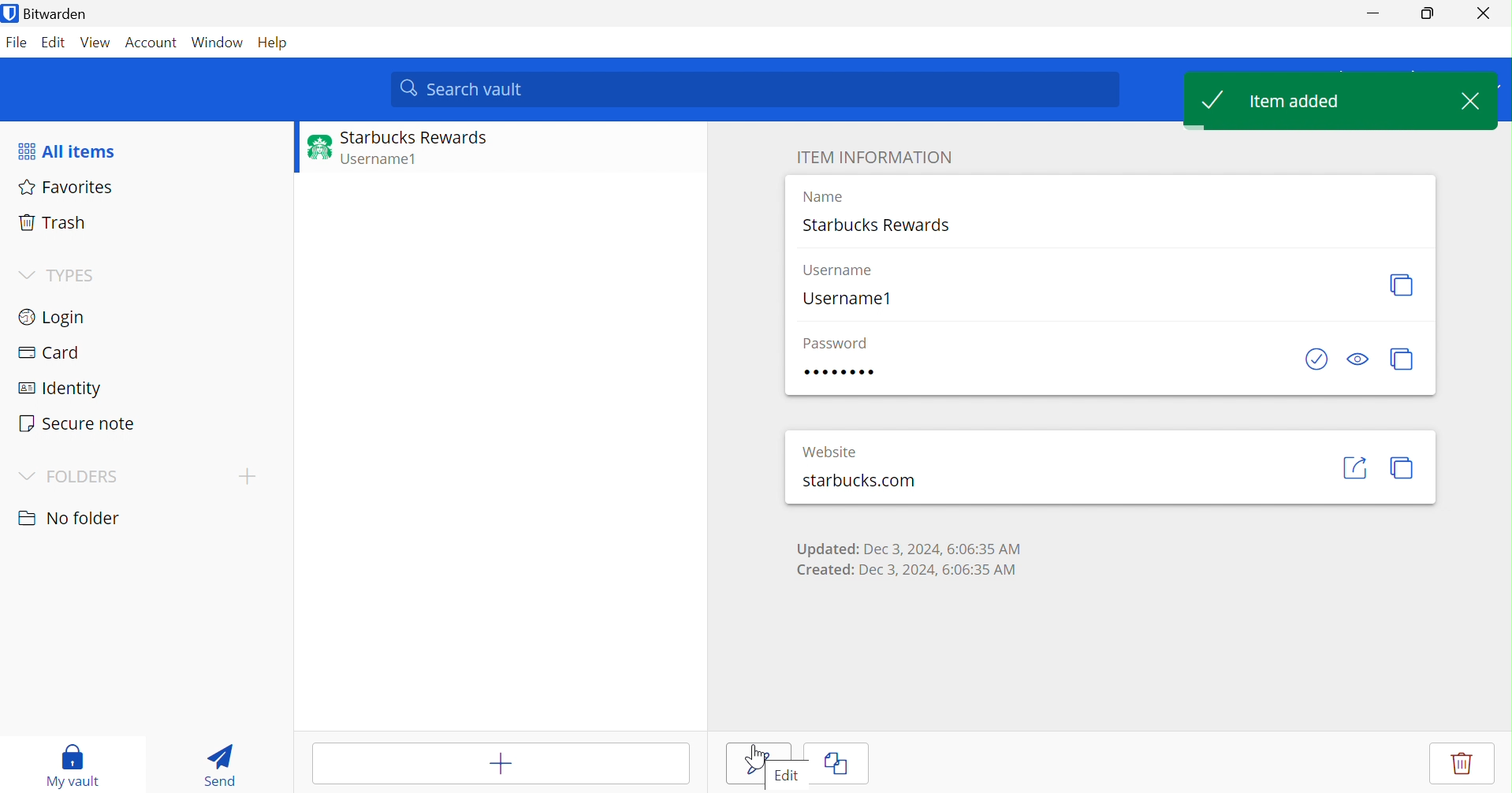 The height and width of the screenshot is (793, 1512). What do you see at coordinates (77, 423) in the screenshot?
I see `Secure note` at bounding box center [77, 423].